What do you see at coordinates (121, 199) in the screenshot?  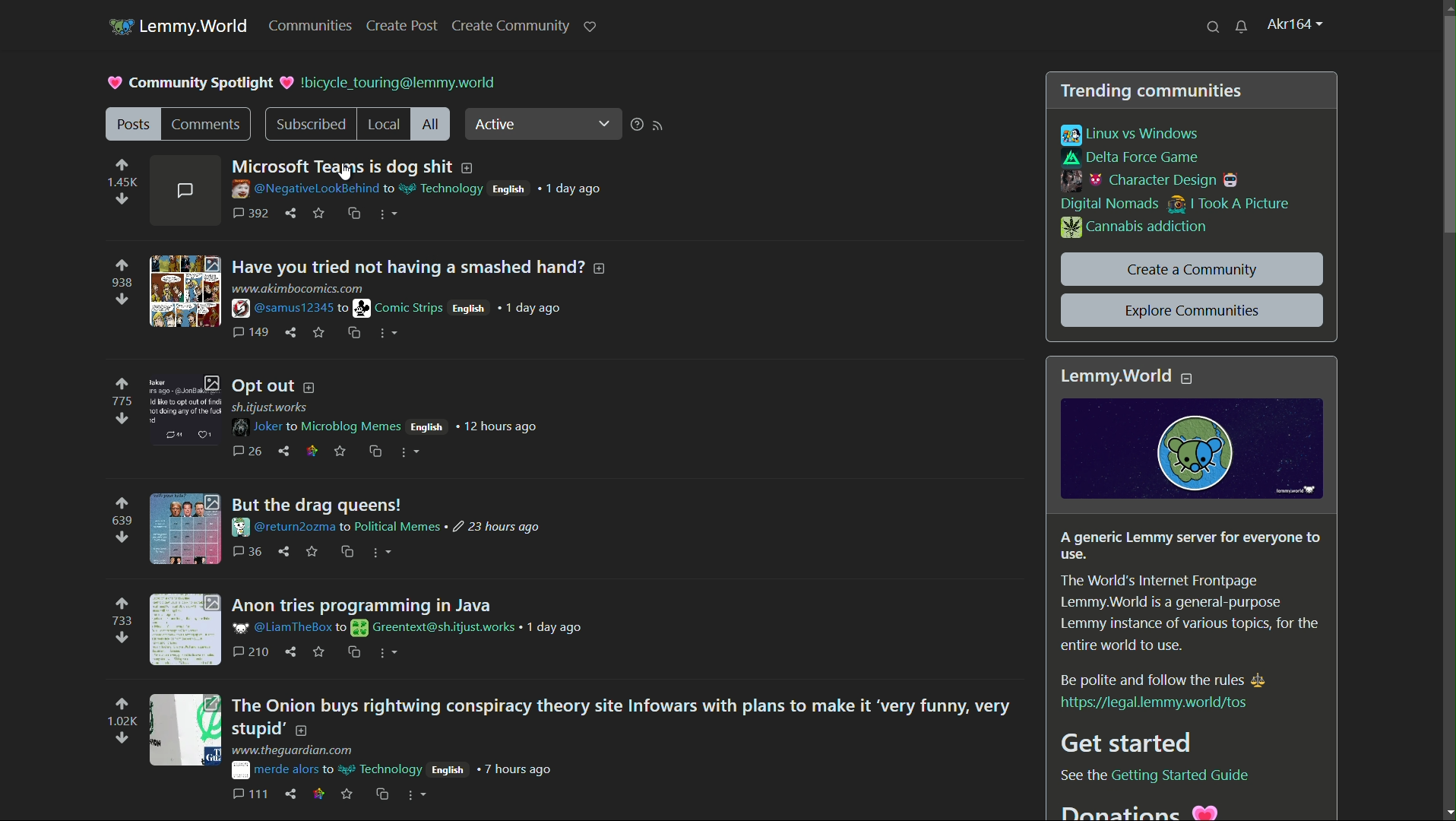 I see `downvote` at bounding box center [121, 199].